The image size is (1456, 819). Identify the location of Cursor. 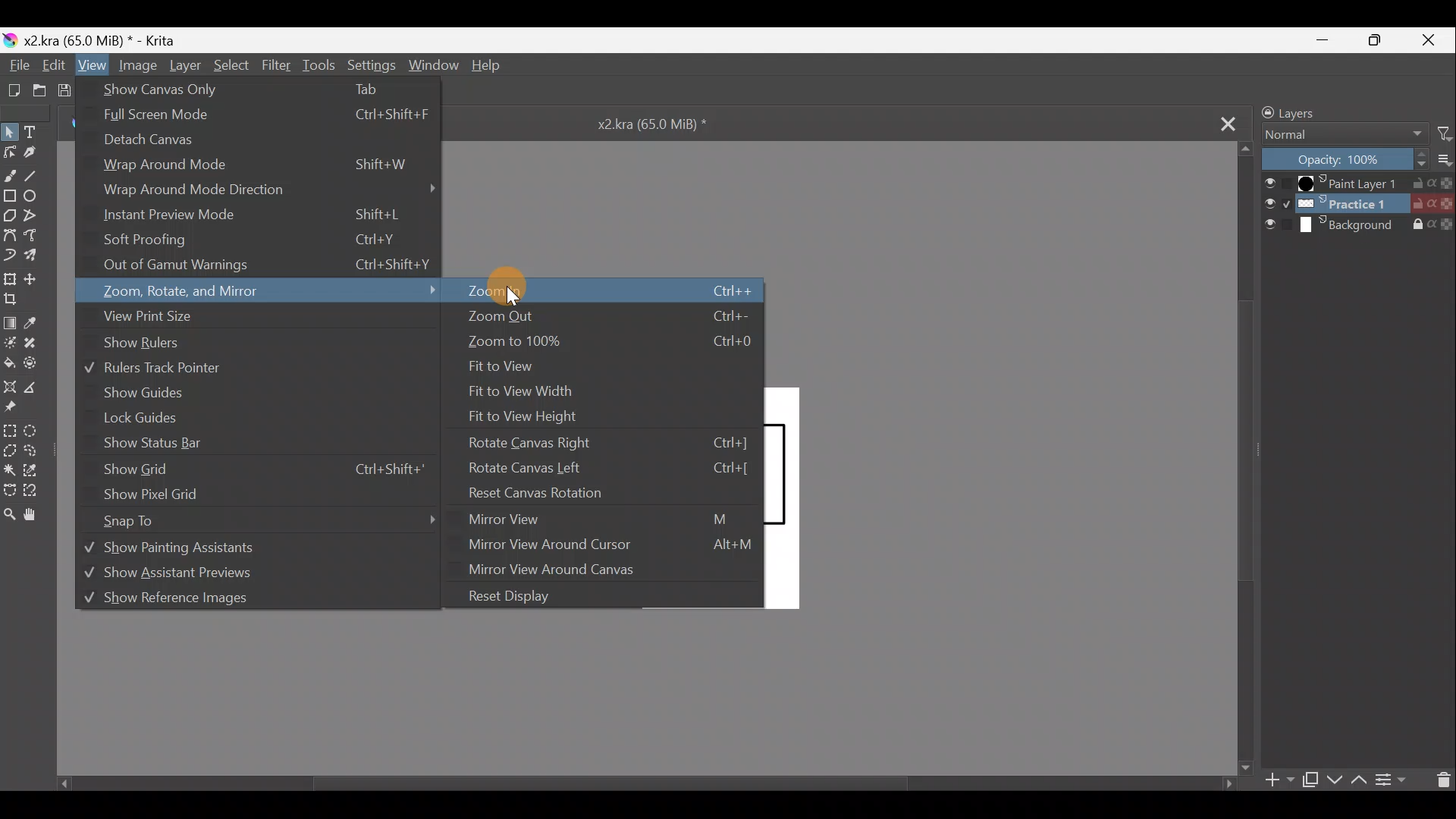
(517, 290).